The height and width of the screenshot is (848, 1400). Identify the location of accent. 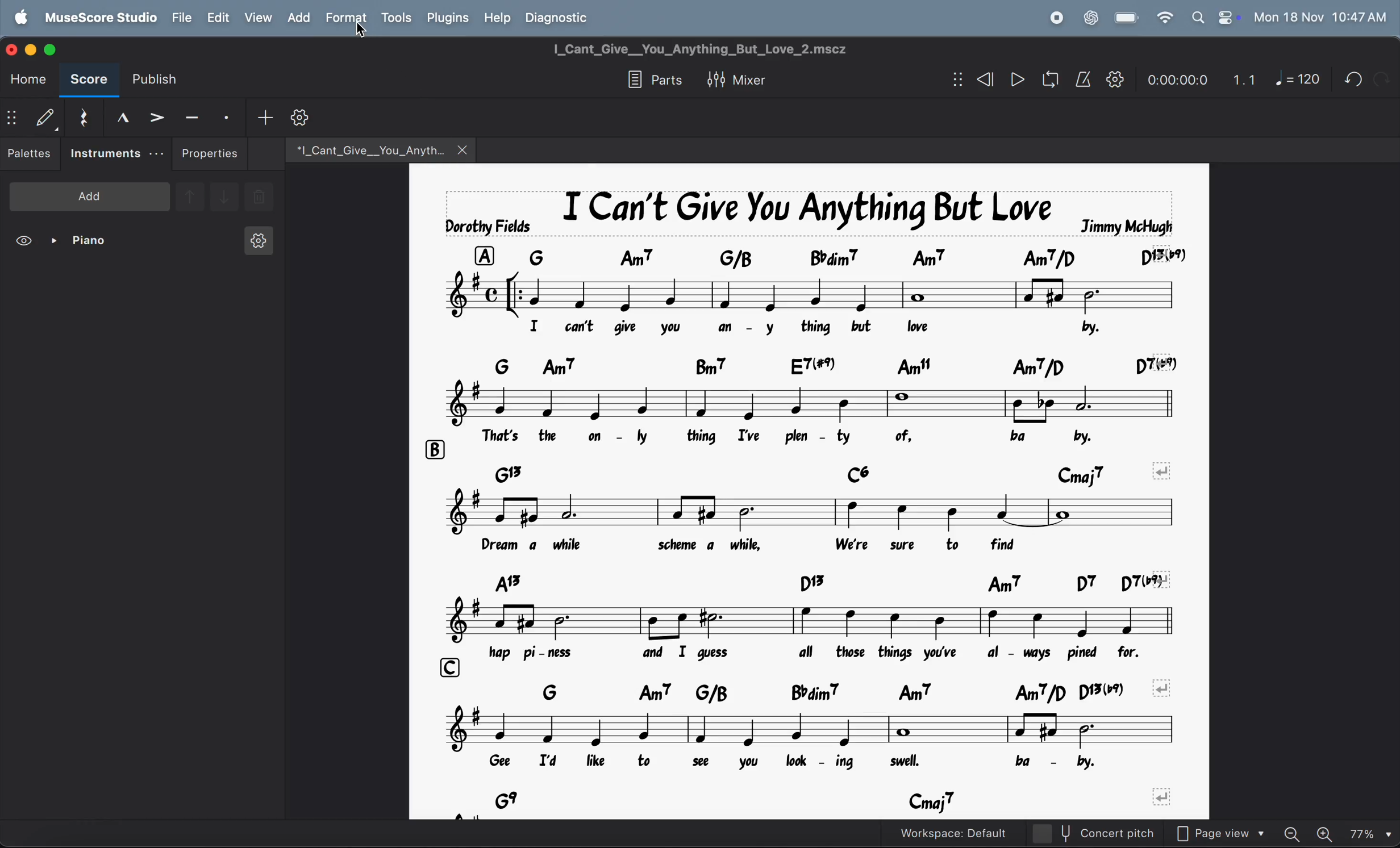
(156, 116).